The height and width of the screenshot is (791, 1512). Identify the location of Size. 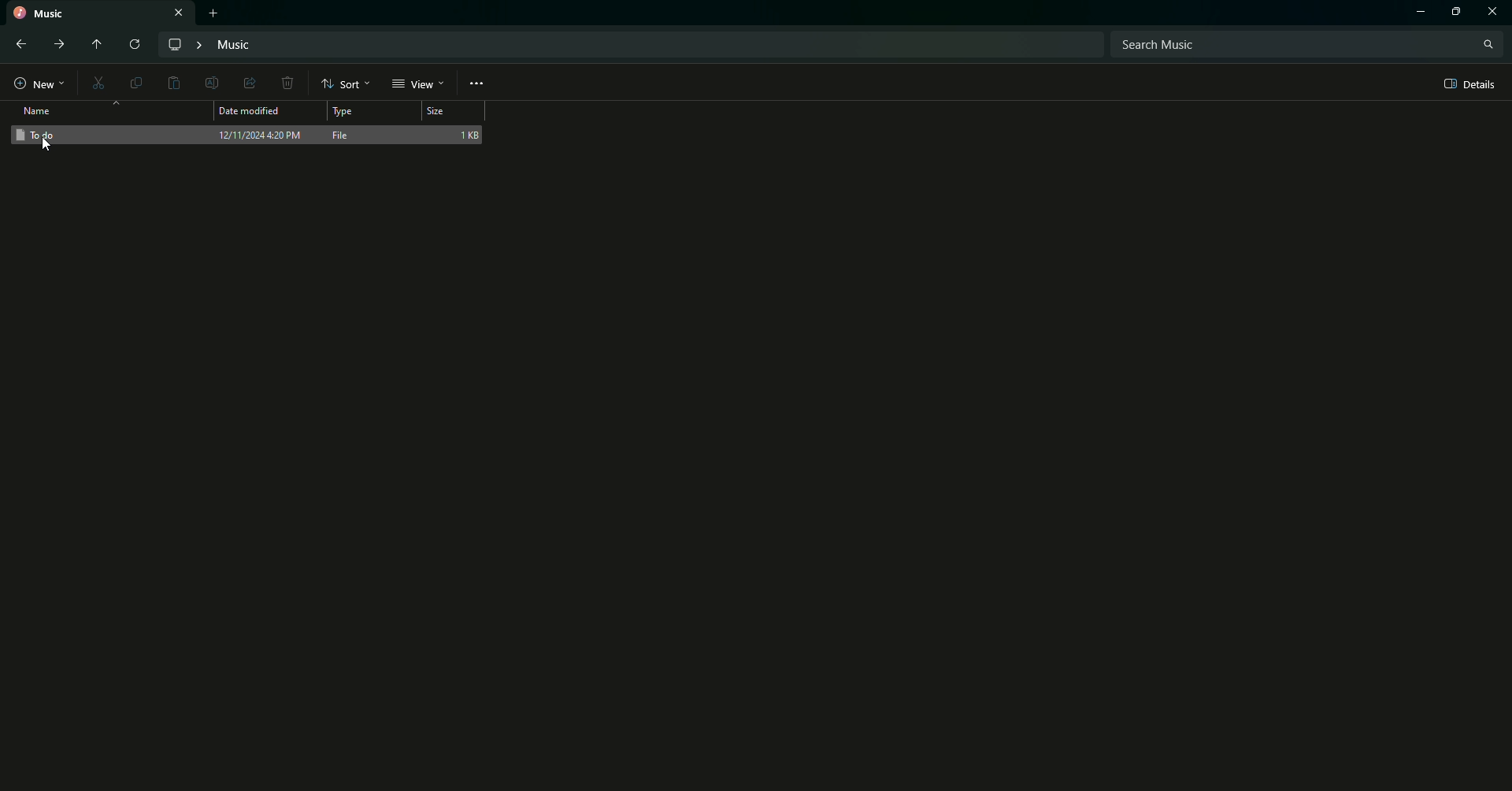
(452, 110).